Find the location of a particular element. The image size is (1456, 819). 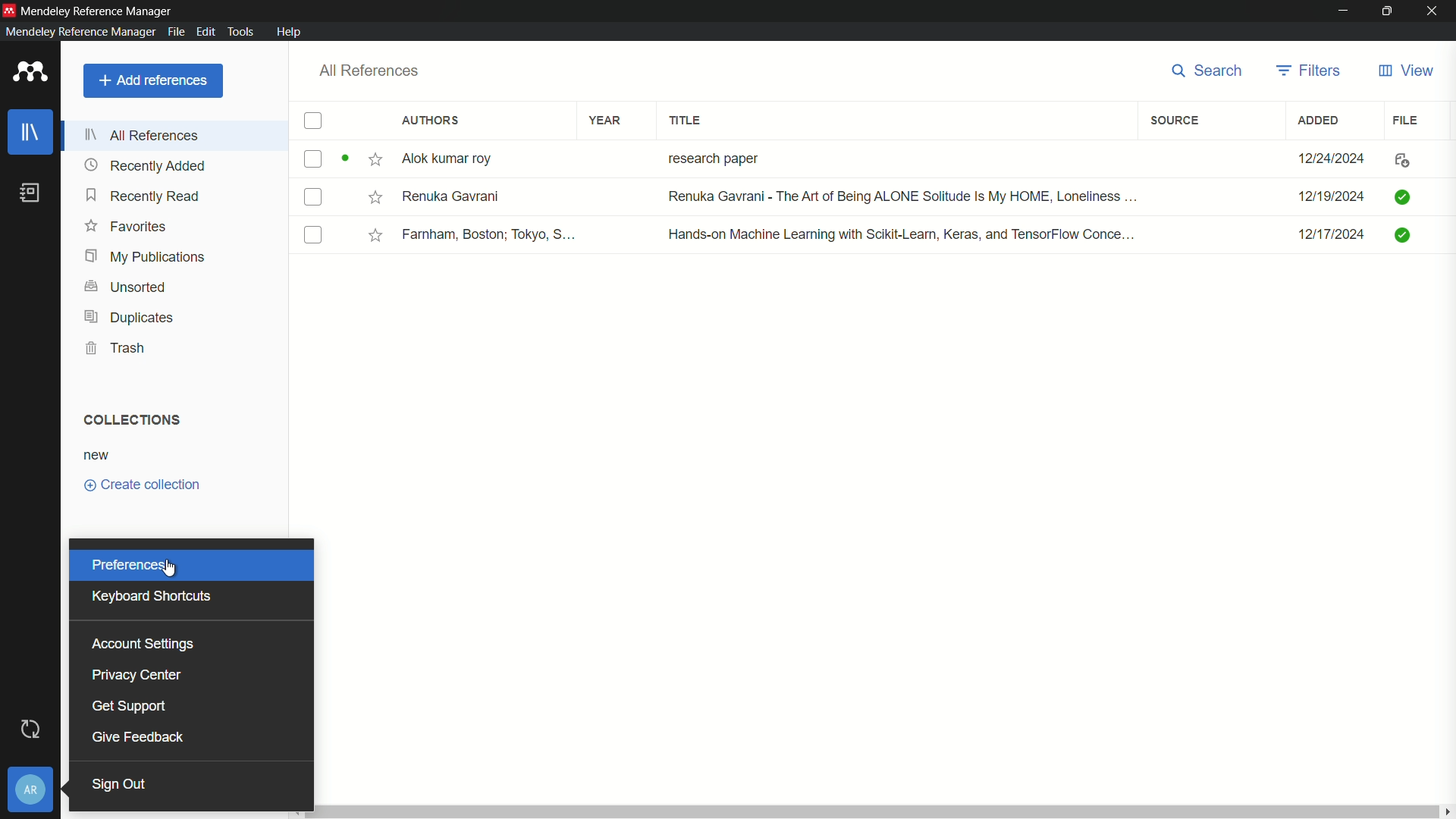

 is located at coordinates (375, 196).